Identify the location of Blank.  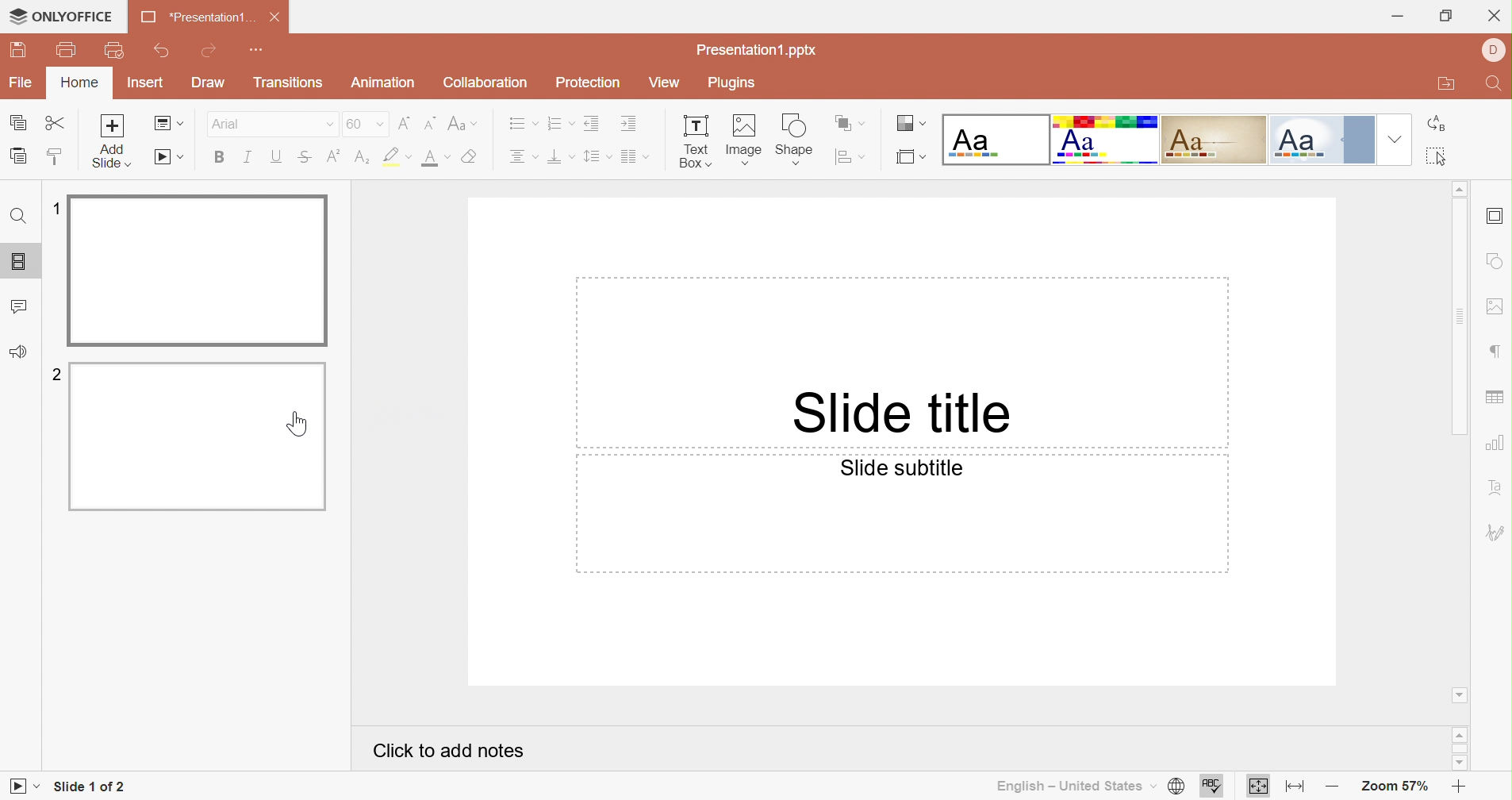
(994, 140).